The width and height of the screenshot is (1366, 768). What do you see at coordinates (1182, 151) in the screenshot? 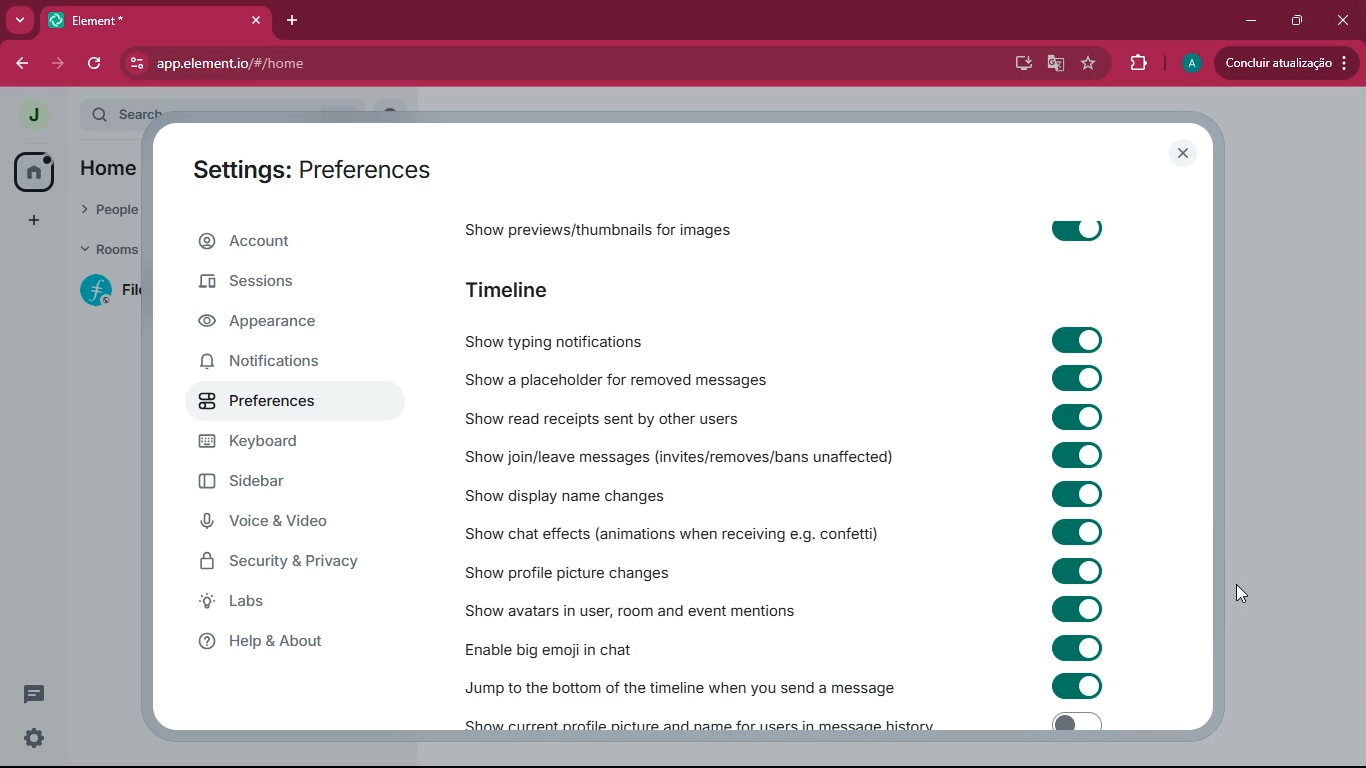
I see `close` at bounding box center [1182, 151].